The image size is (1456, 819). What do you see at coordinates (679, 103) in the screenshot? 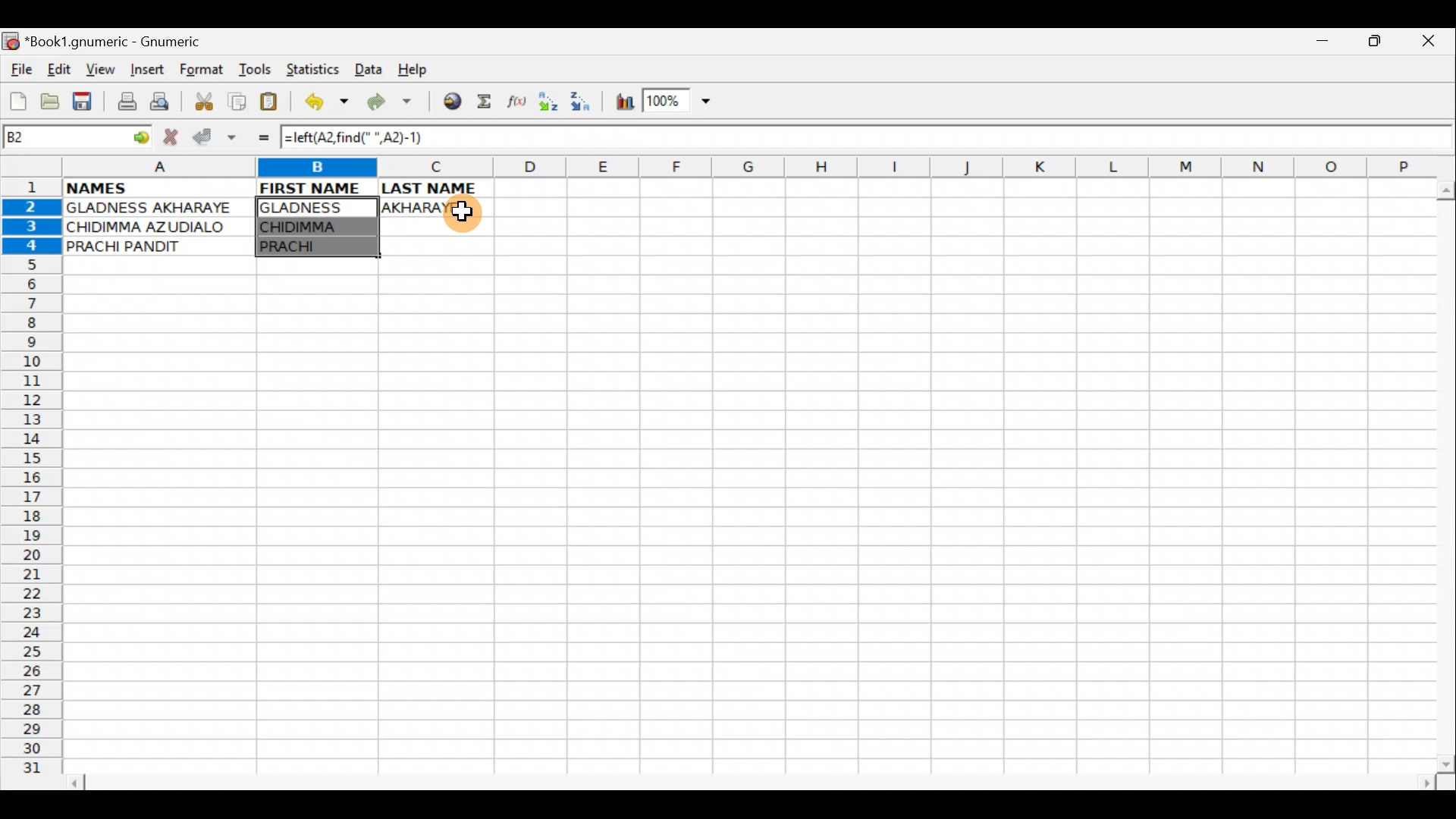
I see `Zoom` at bounding box center [679, 103].